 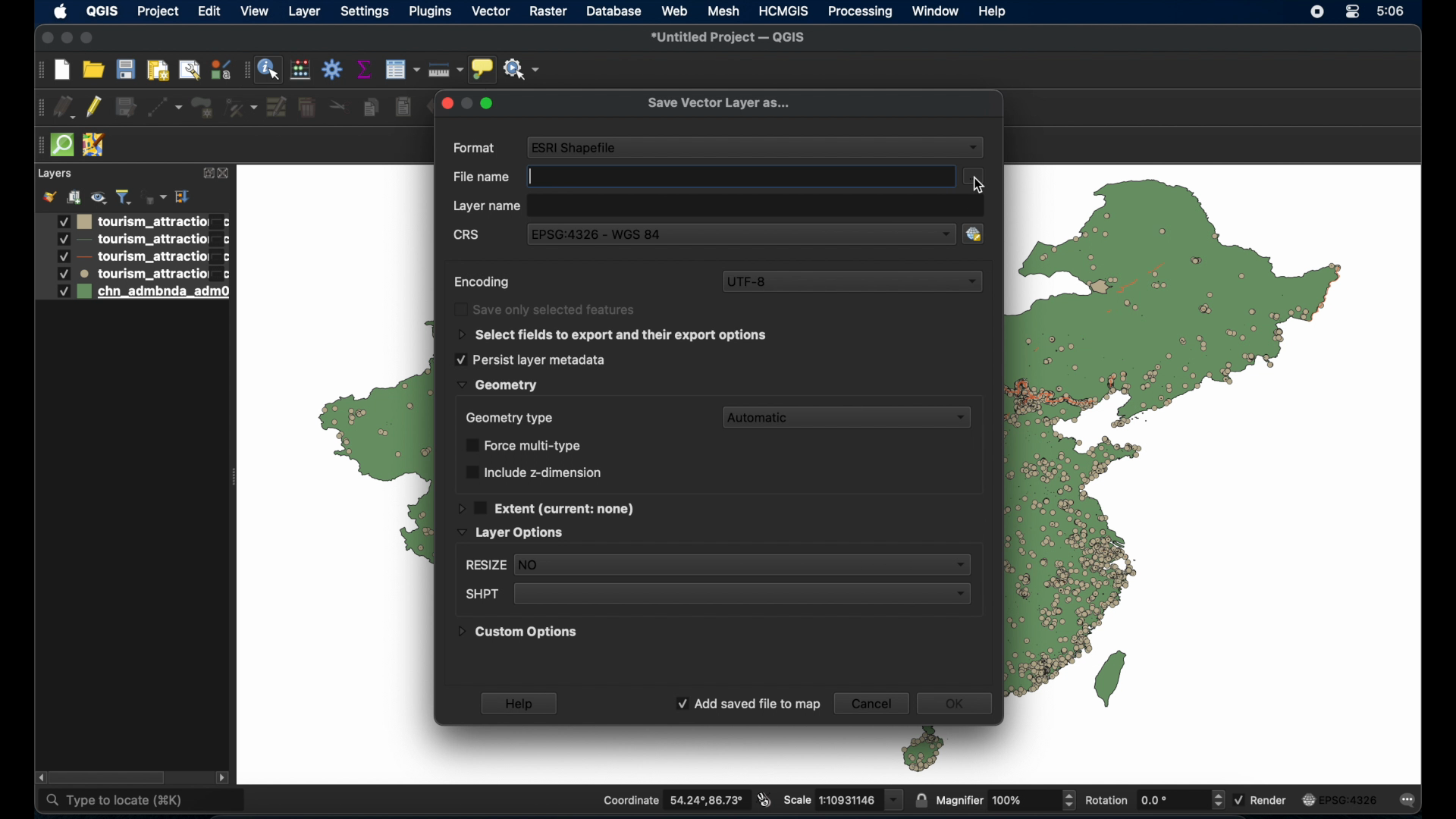 I want to click on coordinate, so click(x=674, y=799).